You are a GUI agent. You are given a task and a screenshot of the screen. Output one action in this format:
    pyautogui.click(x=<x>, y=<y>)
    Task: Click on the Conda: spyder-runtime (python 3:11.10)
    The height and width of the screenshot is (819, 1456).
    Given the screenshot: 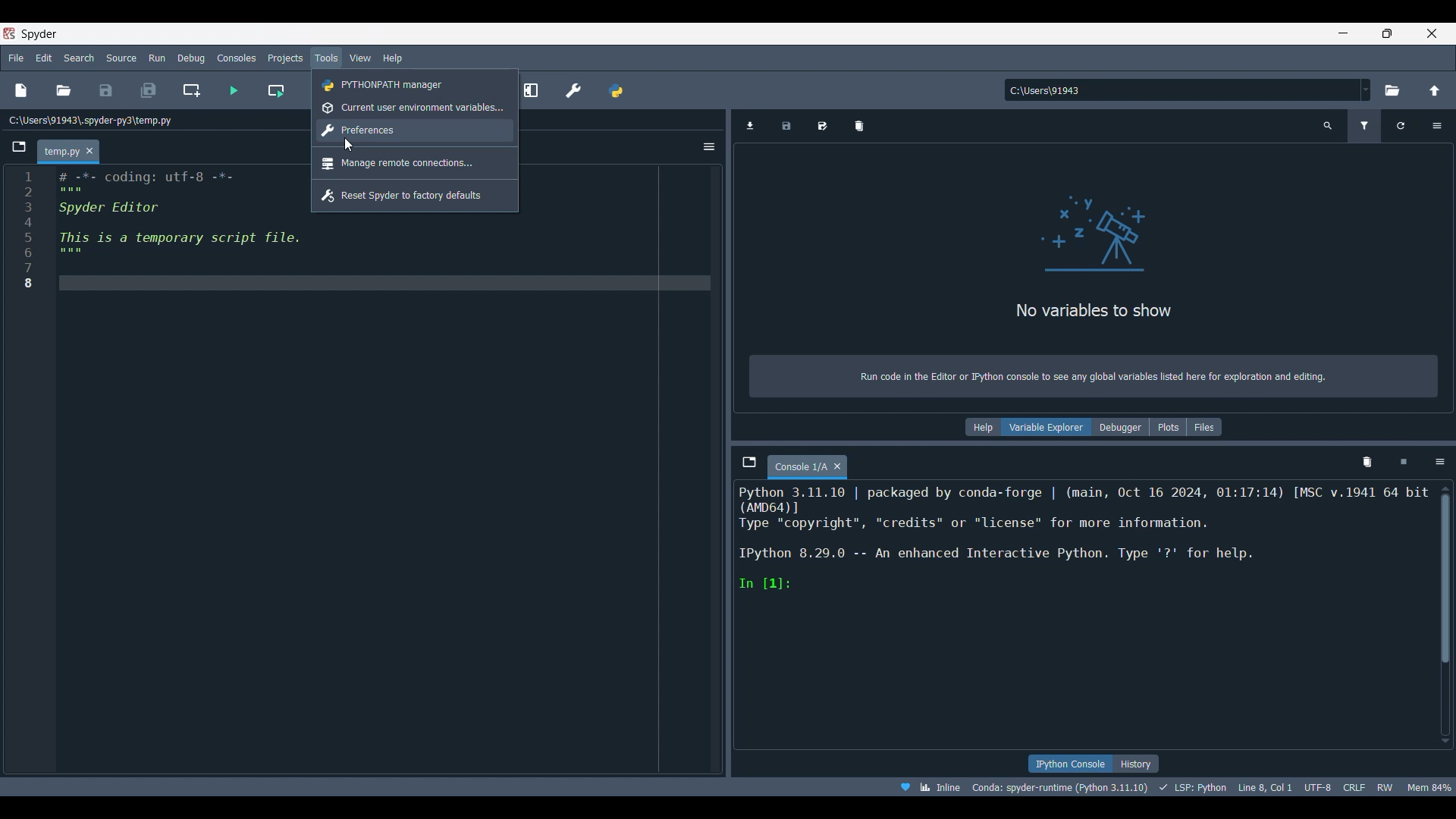 What is the action you would take?
    pyautogui.click(x=1058, y=786)
    